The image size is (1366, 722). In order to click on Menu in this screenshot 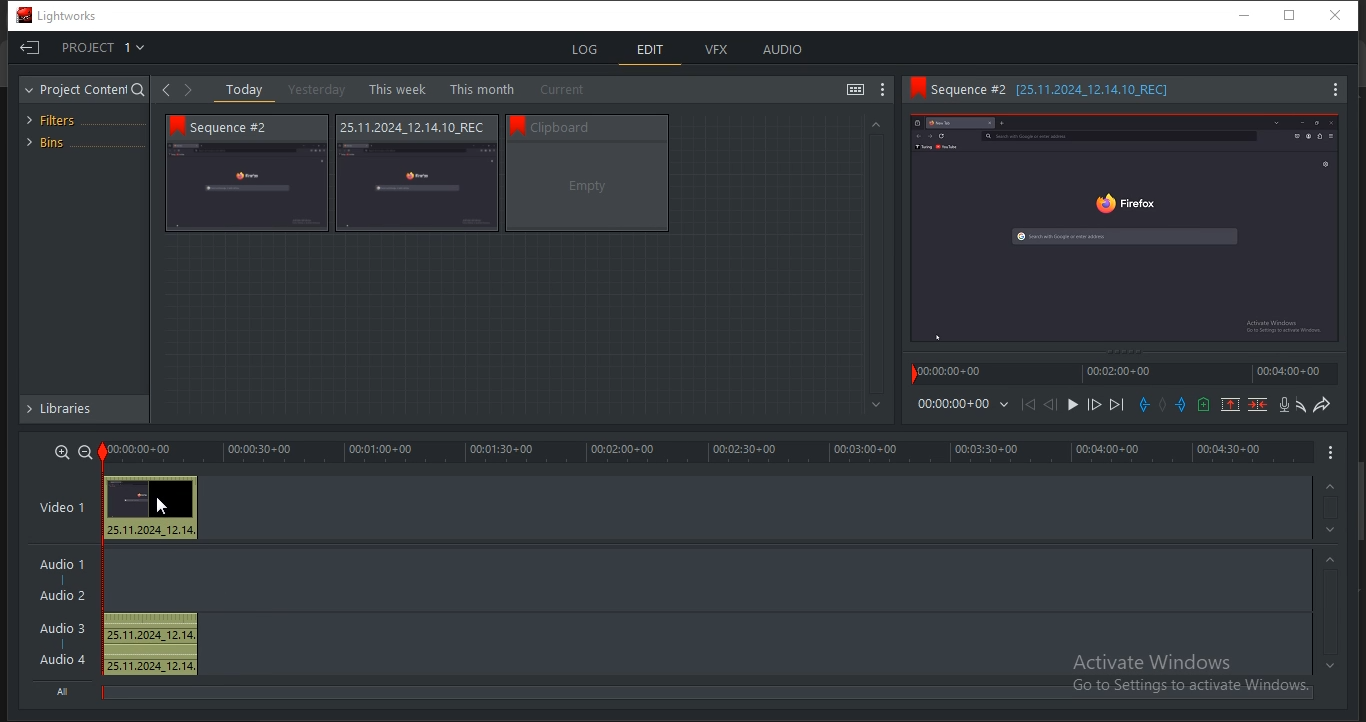, I will do `click(1329, 89)`.